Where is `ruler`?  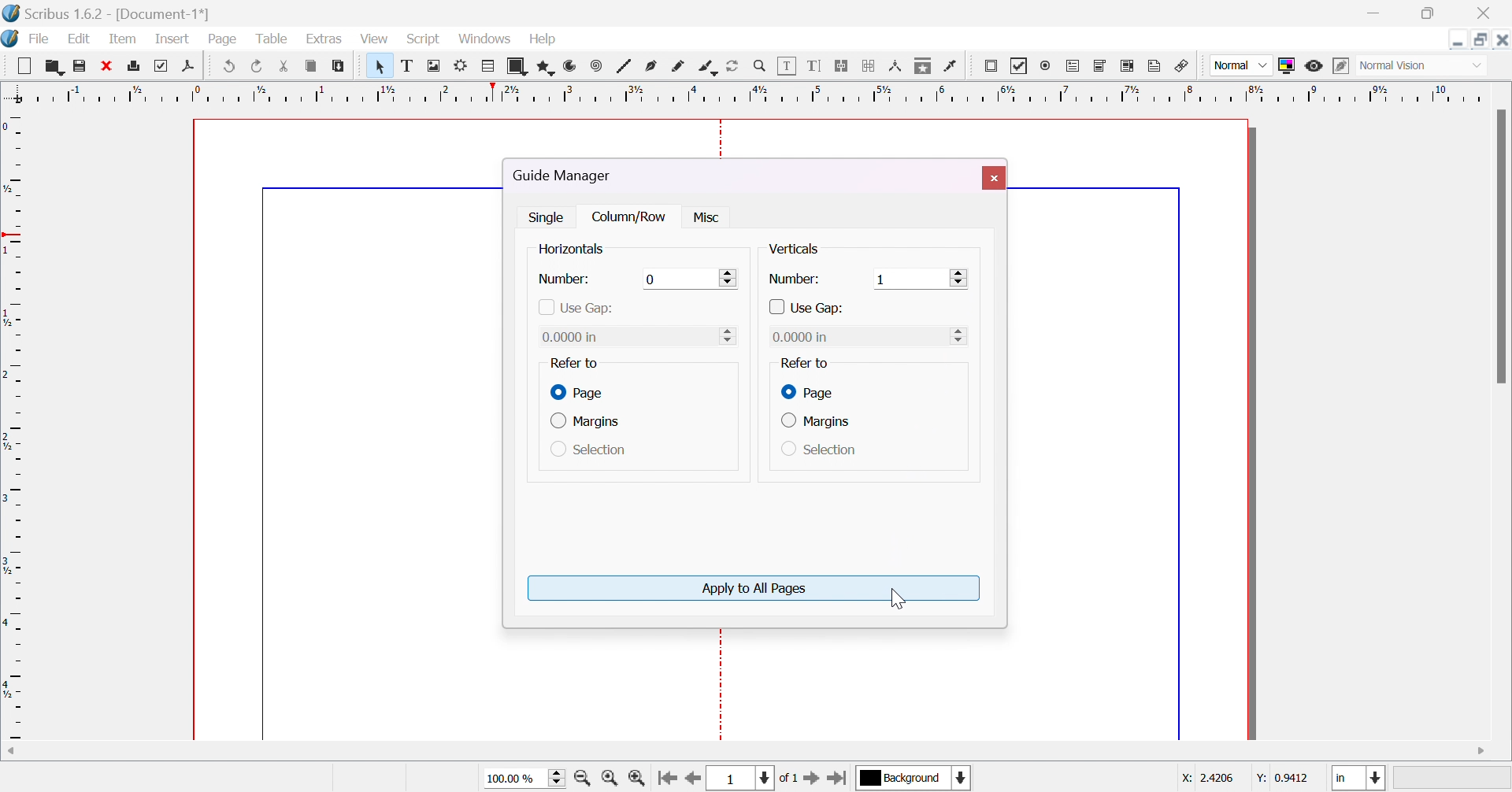
ruler is located at coordinates (754, 92).